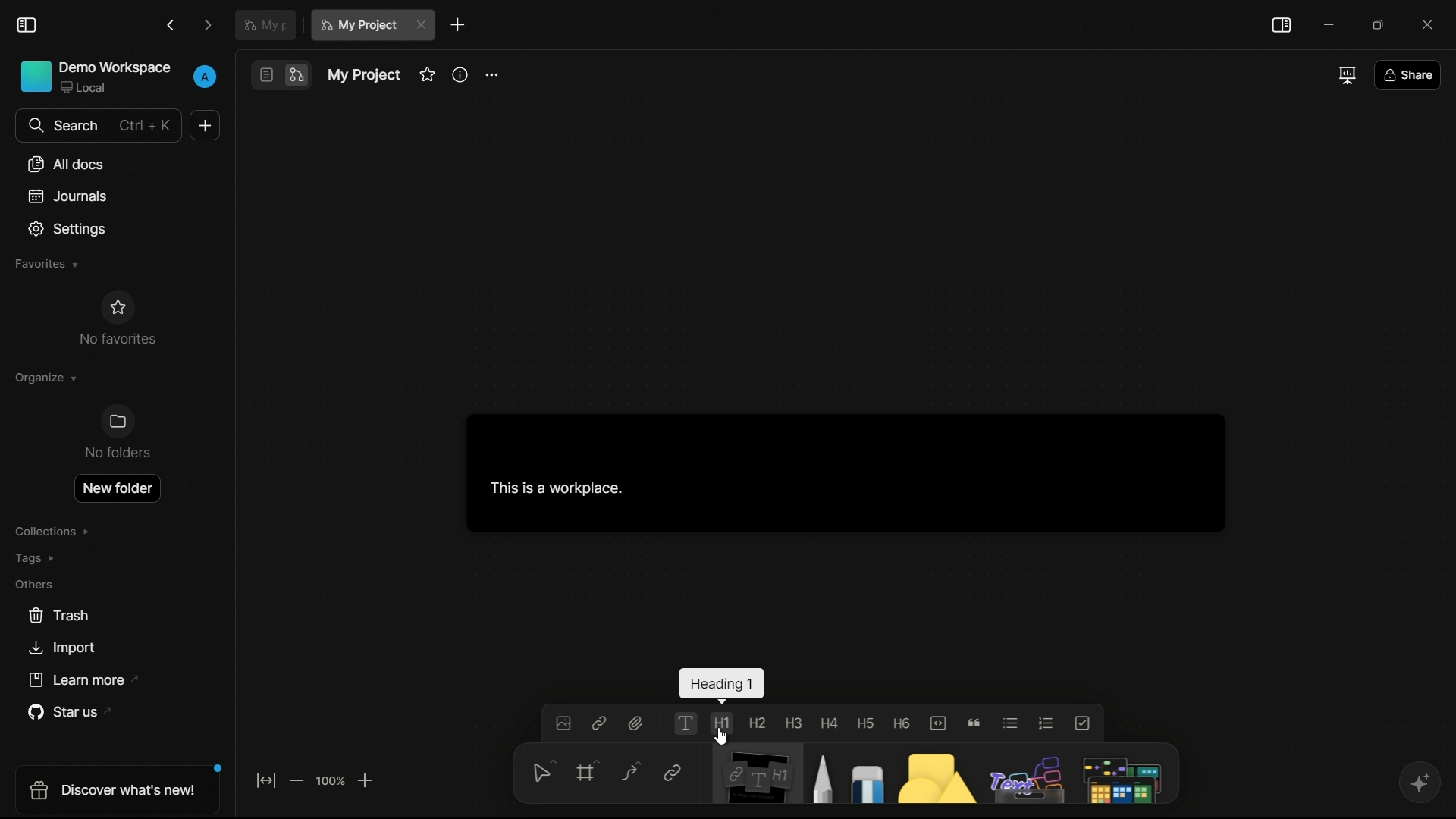  What do you see at coordinates (1432, 23) in the screenshot?
I see `close app` at bounding box center [1432, 23].